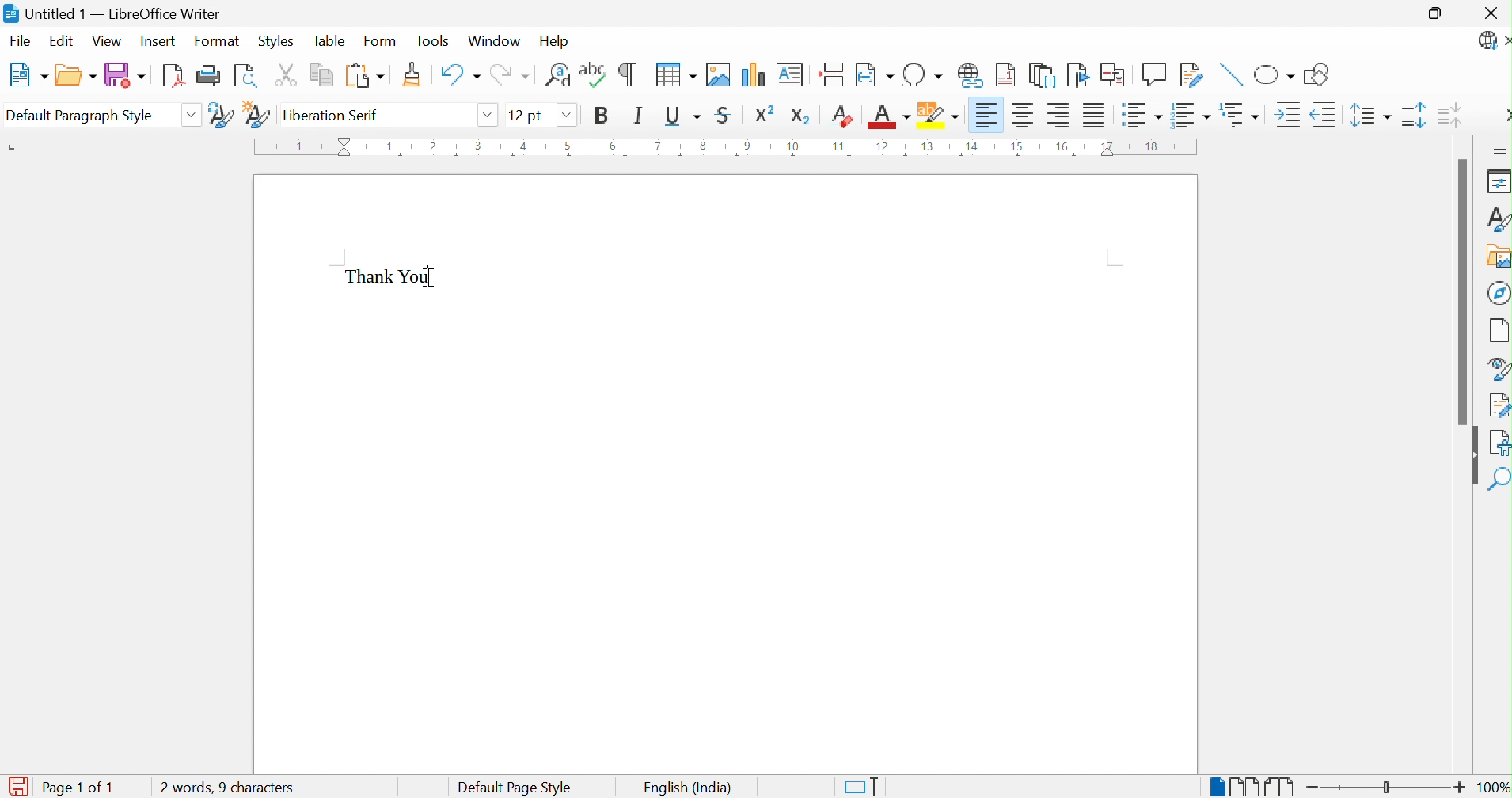 Image resolution: width=1512 pixels, height=798 pixels. What do you see at coordinates (1244, 785) in the screenshot?
I see `Multiple-page View` at bounding box center [1244, 785].